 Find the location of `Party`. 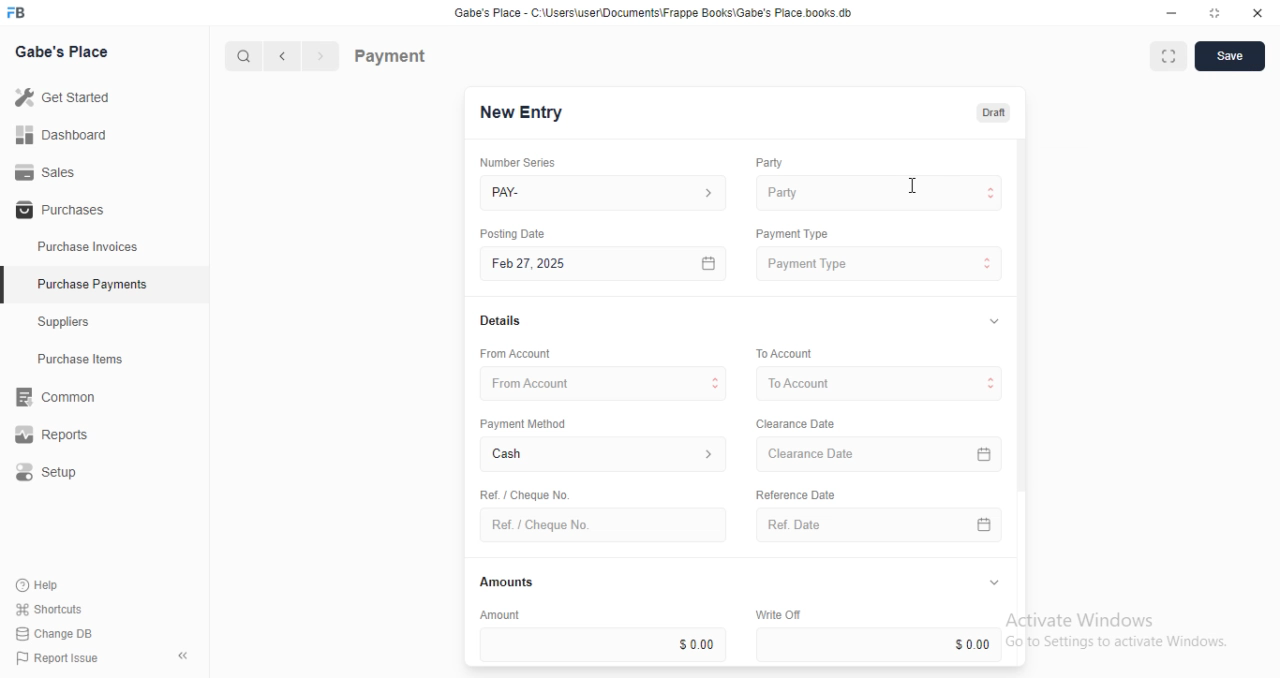

Party is located at coordinates (879, 192).